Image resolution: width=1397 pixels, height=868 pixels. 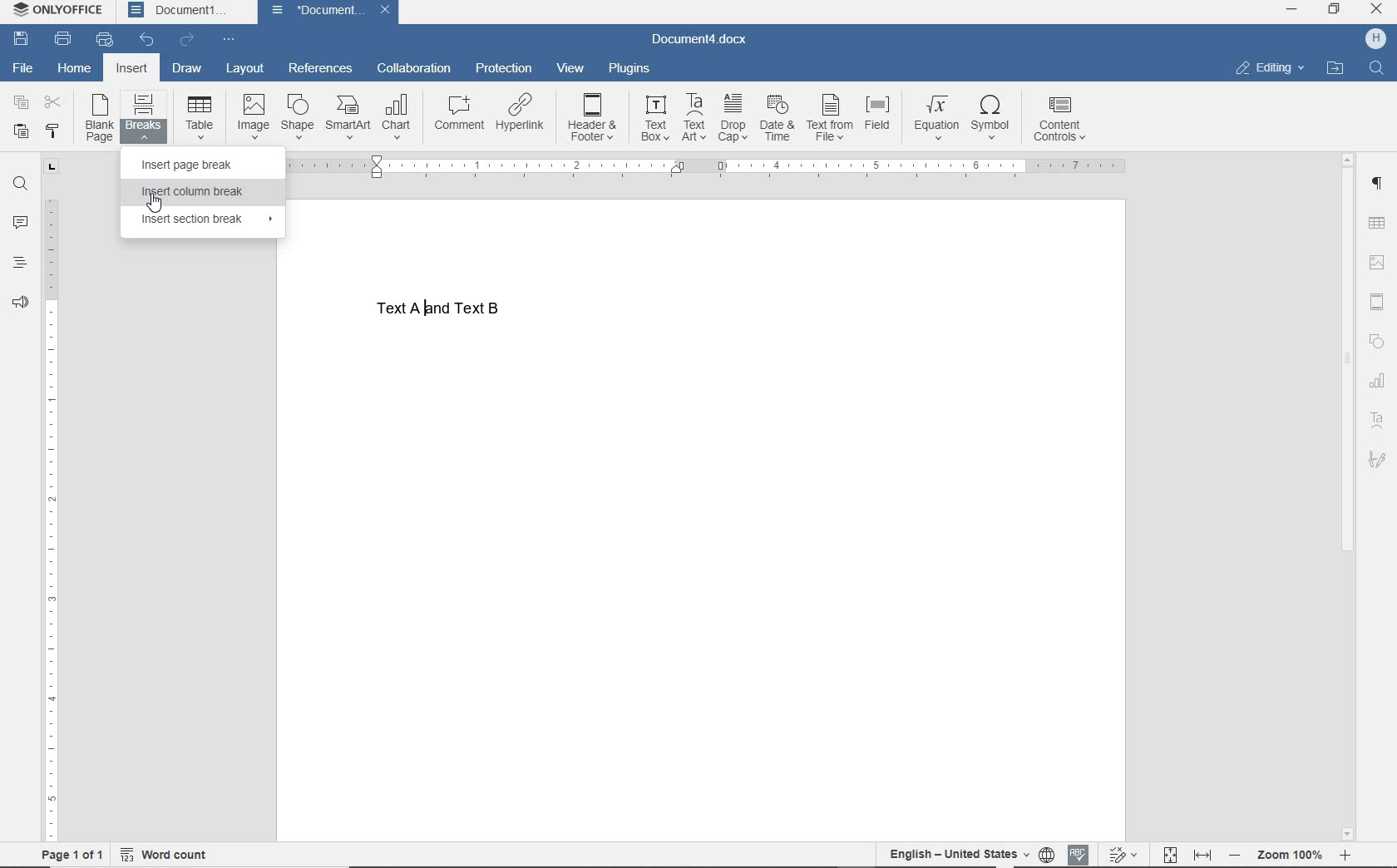 I want to click on close, so click(x=1377, y=9).